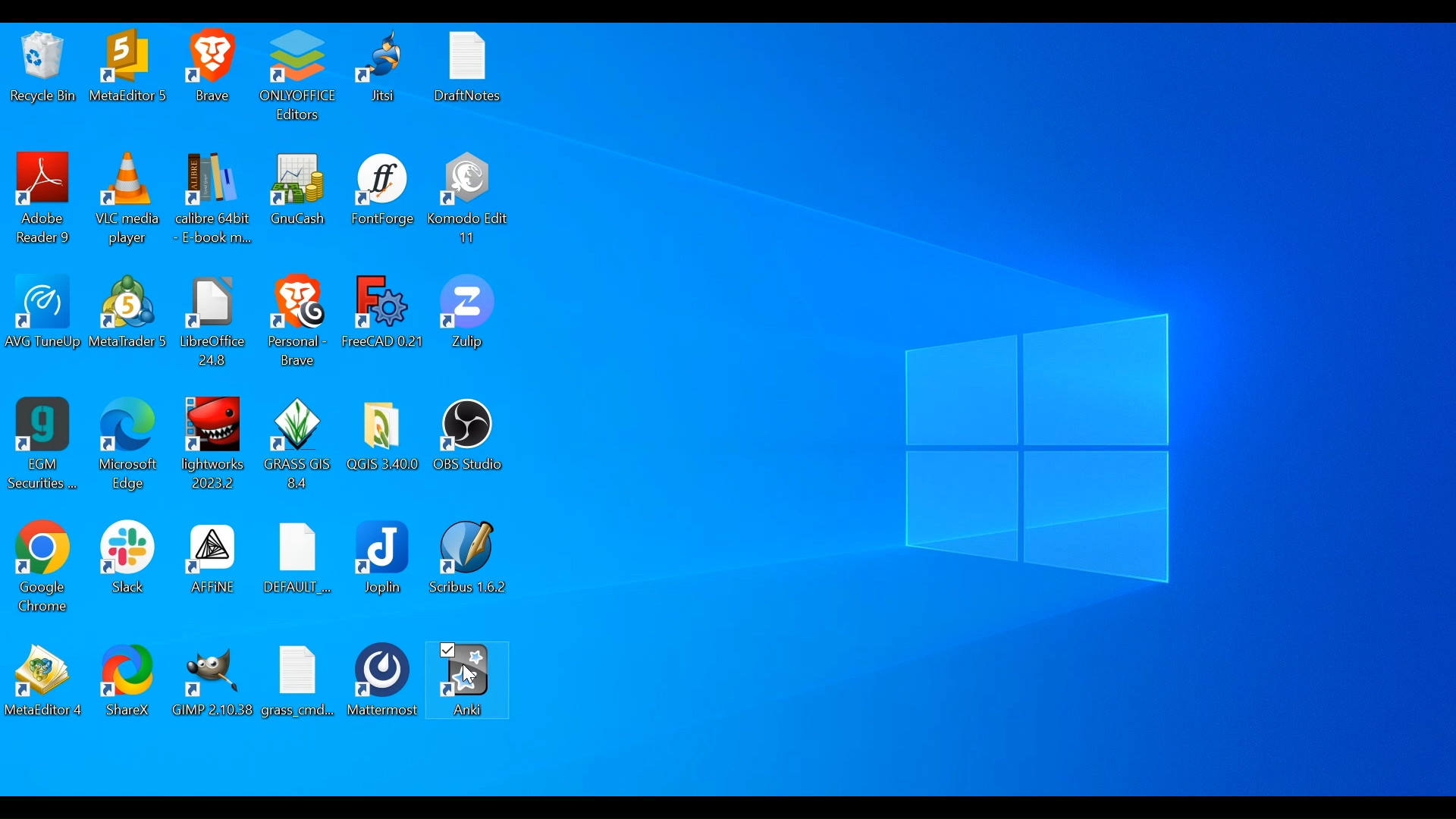  I want to click on GnuCash Desktop icon, so click(297, 189).